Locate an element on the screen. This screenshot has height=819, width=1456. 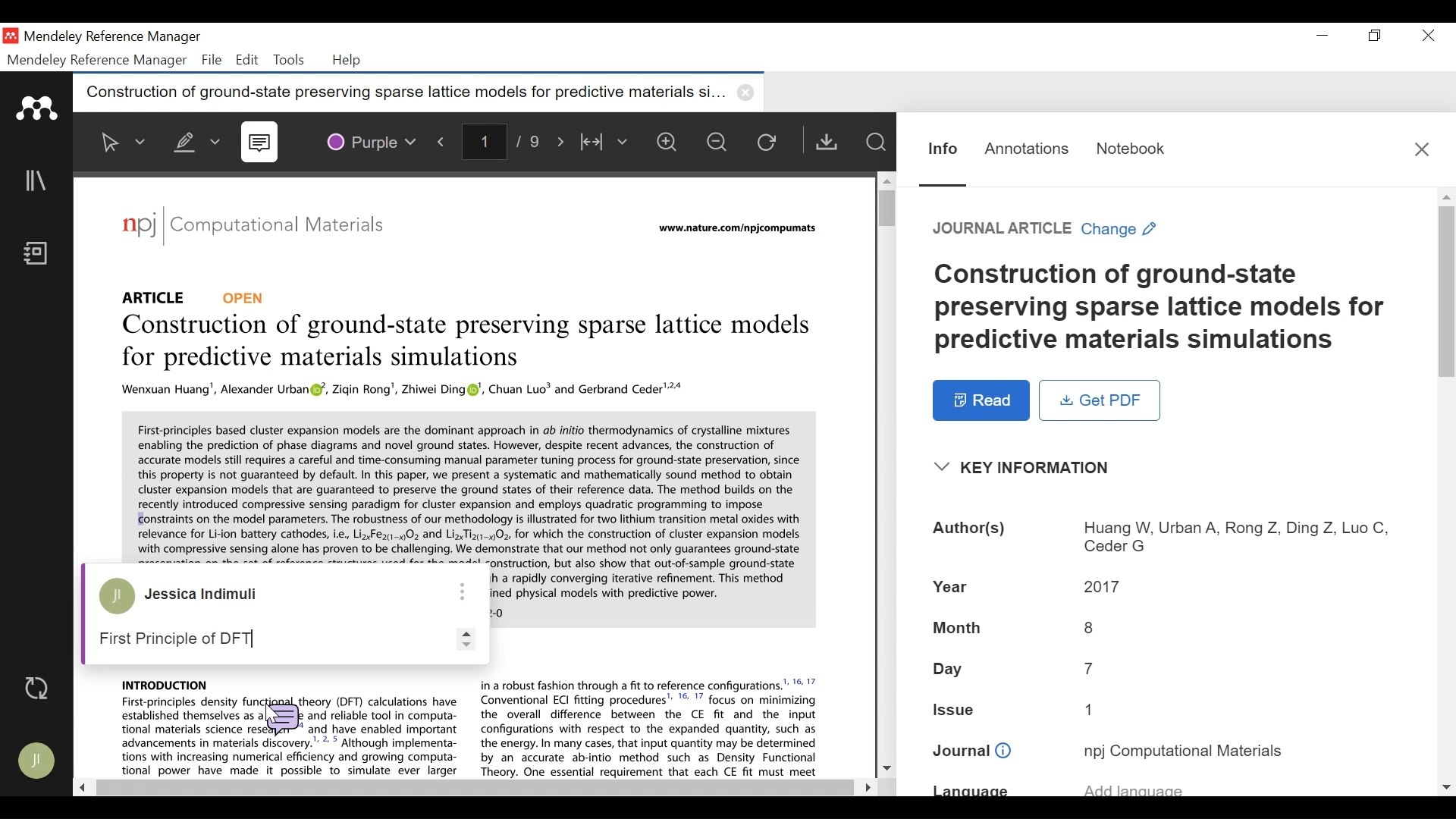
Show/Hide Key Information is located at coordinates (1028, 468).